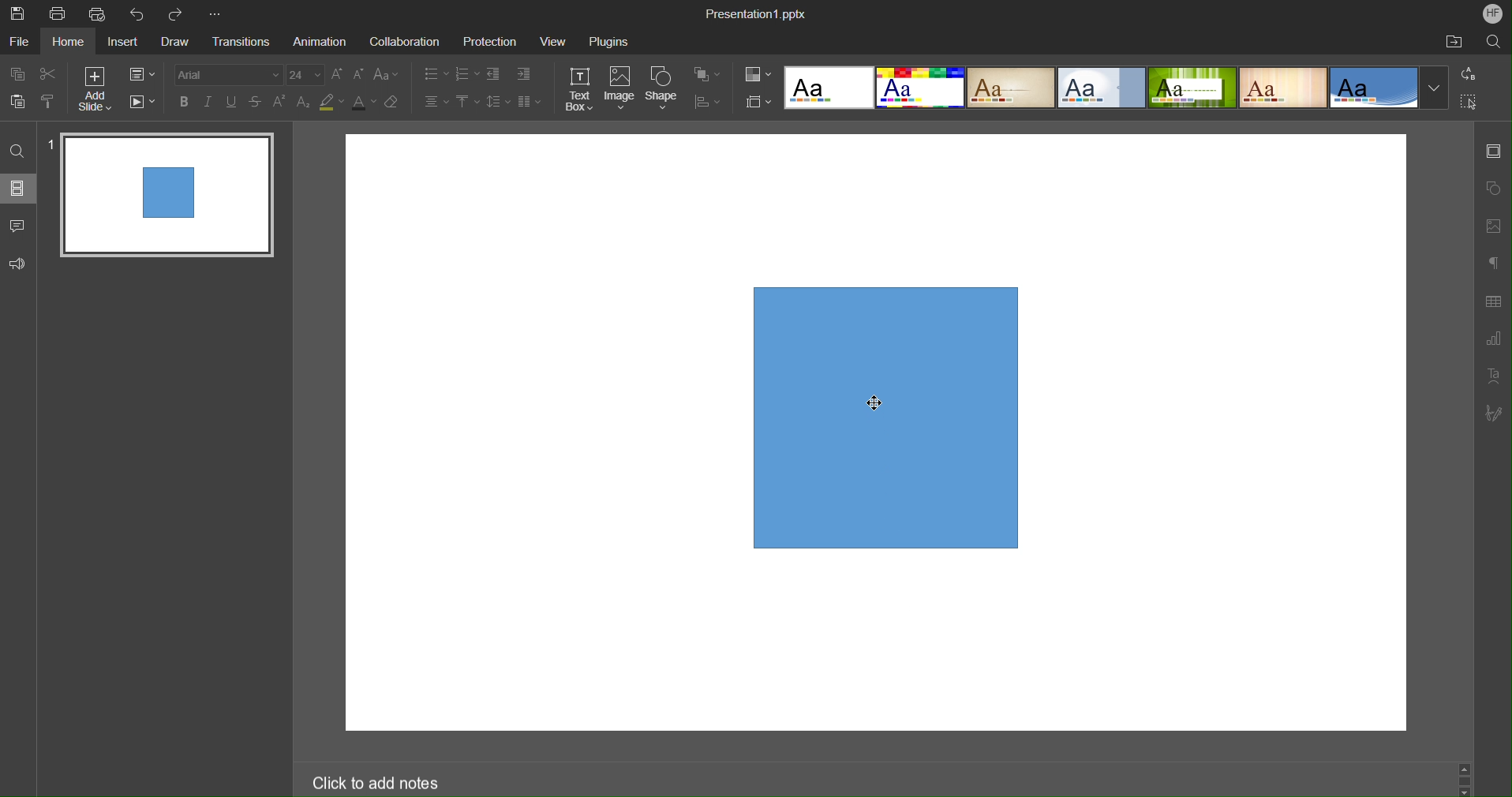 This screenshot has width=1512, height=797. What do you see at coordinates (18, 152) in the screenshot?
I see `Find` at bounding box center [18, 152].